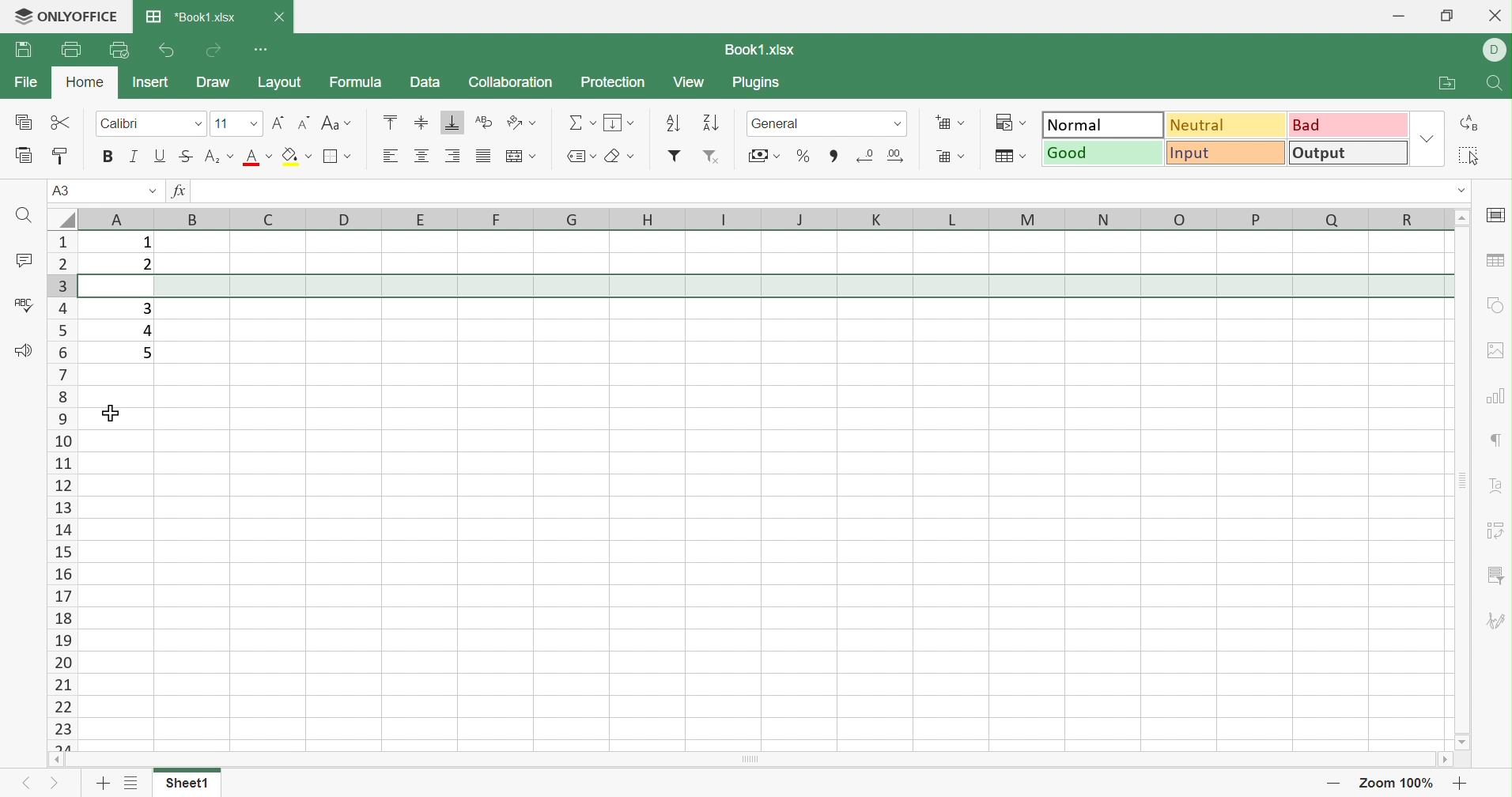  Describe the element at coordinates (1464, 480) in the screenshot. I see `Scroll Bar` at that location.